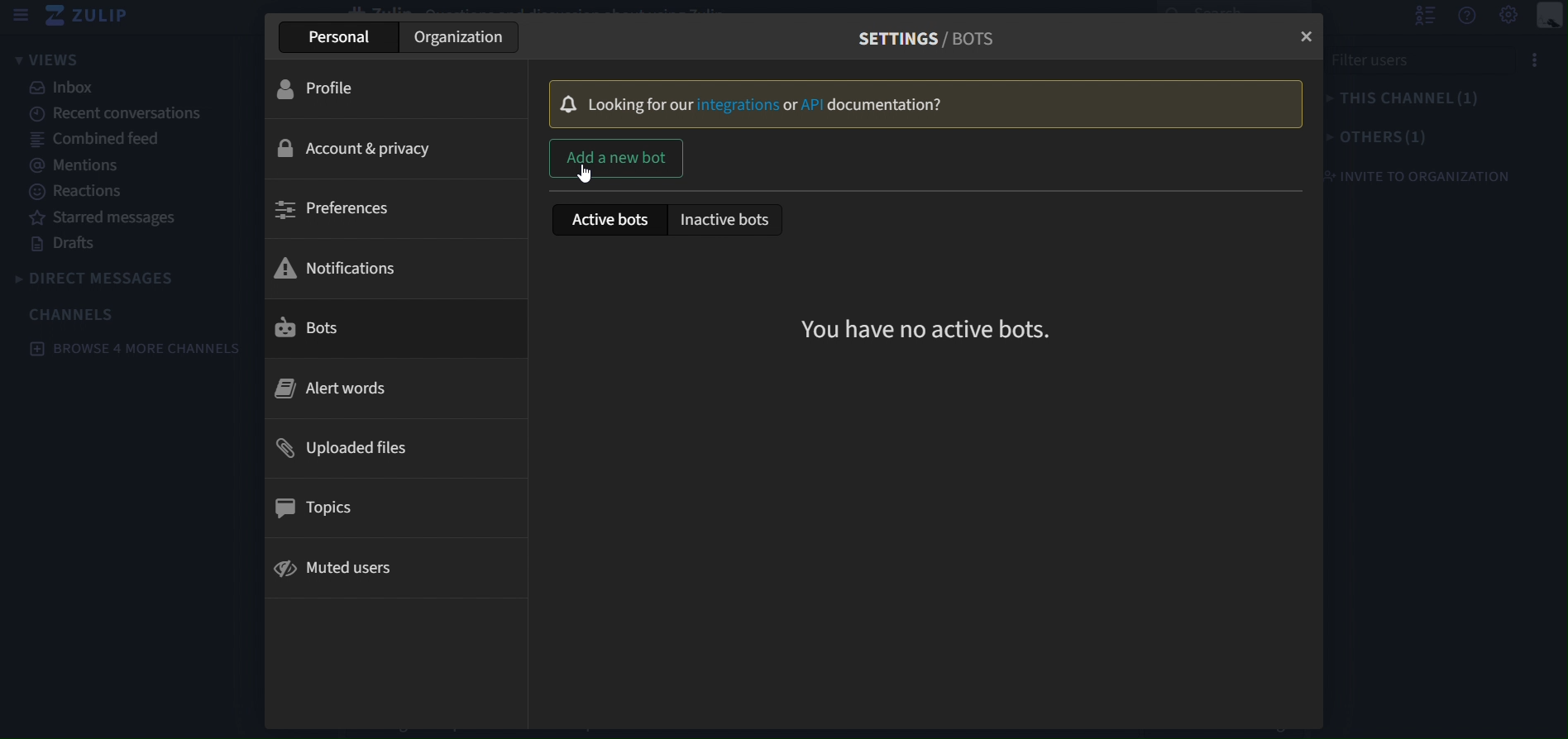  Describe the element at coordinates (123, 141) in the screenshot. I see `combined feed` at that location.